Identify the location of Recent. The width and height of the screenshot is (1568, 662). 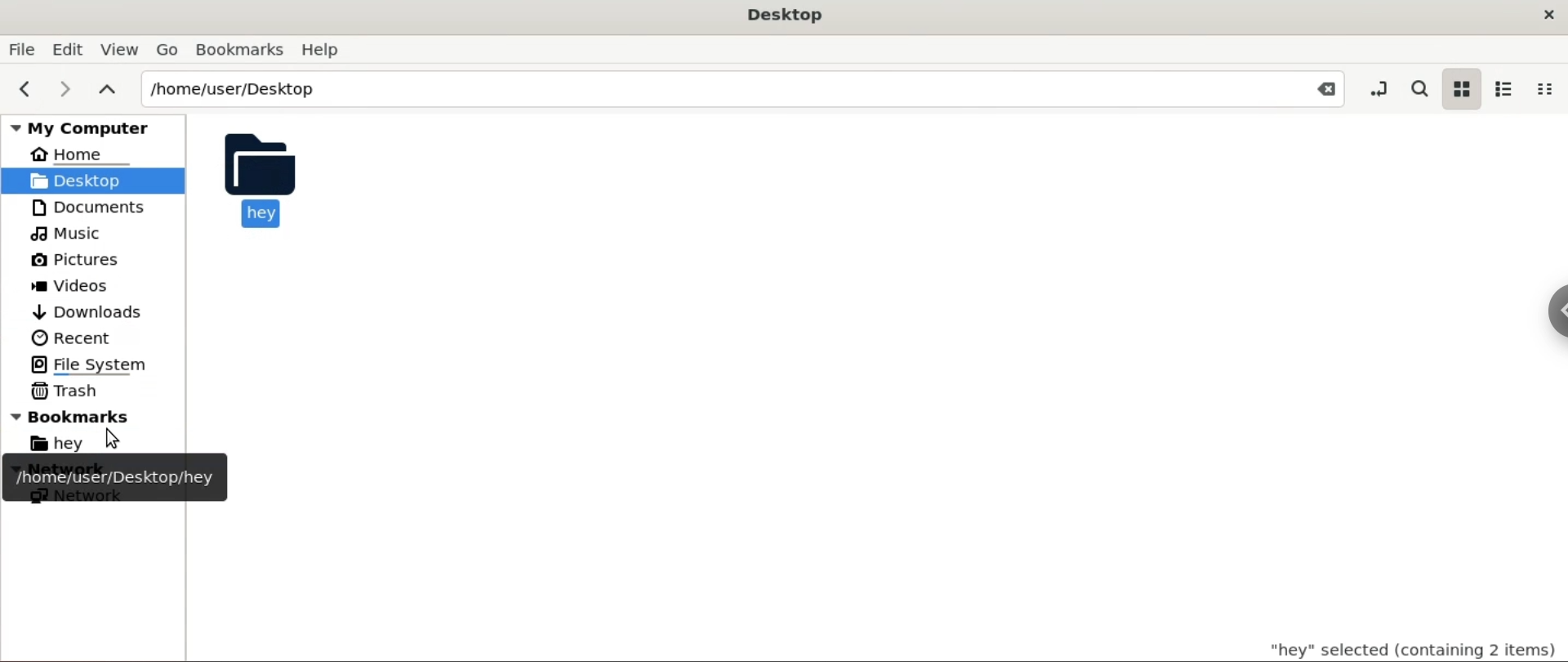
(69, 337).